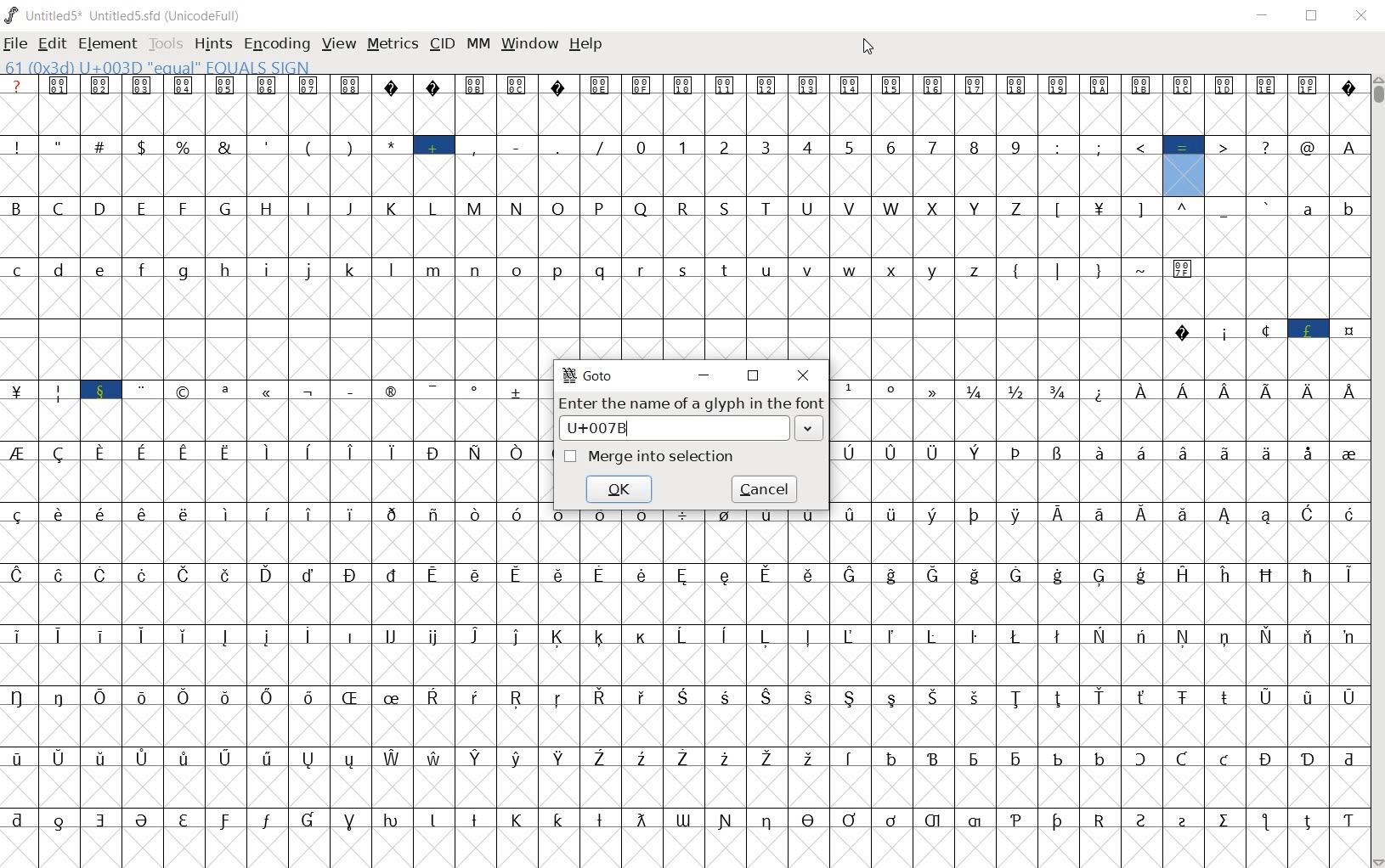 The image size is (1385, 868). What do you see at coordinates (212, 44) in the screenshot?
I see `hints` at bounding box center [212, 44].